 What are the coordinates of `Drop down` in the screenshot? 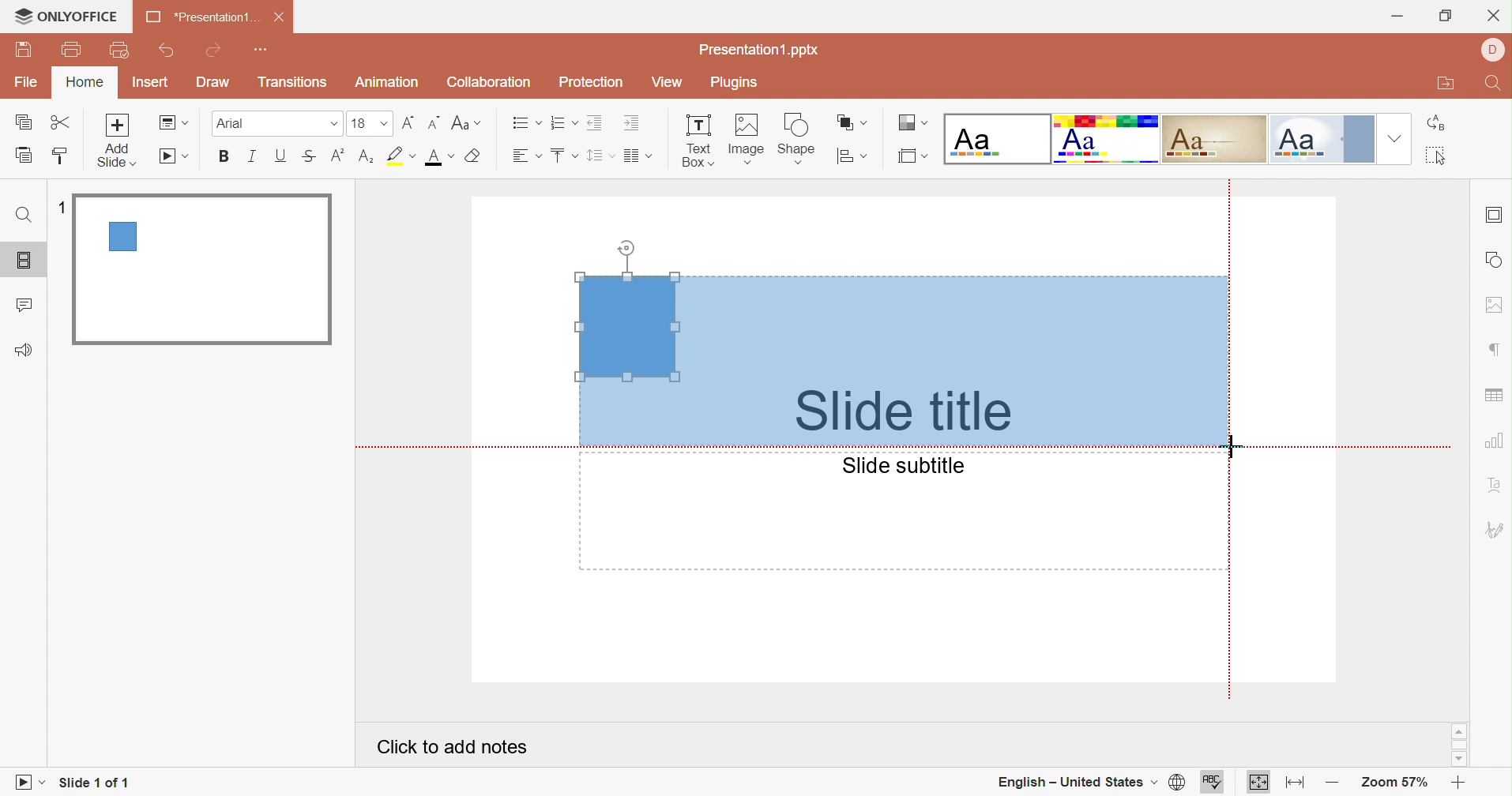 It's located at (1396, 138).